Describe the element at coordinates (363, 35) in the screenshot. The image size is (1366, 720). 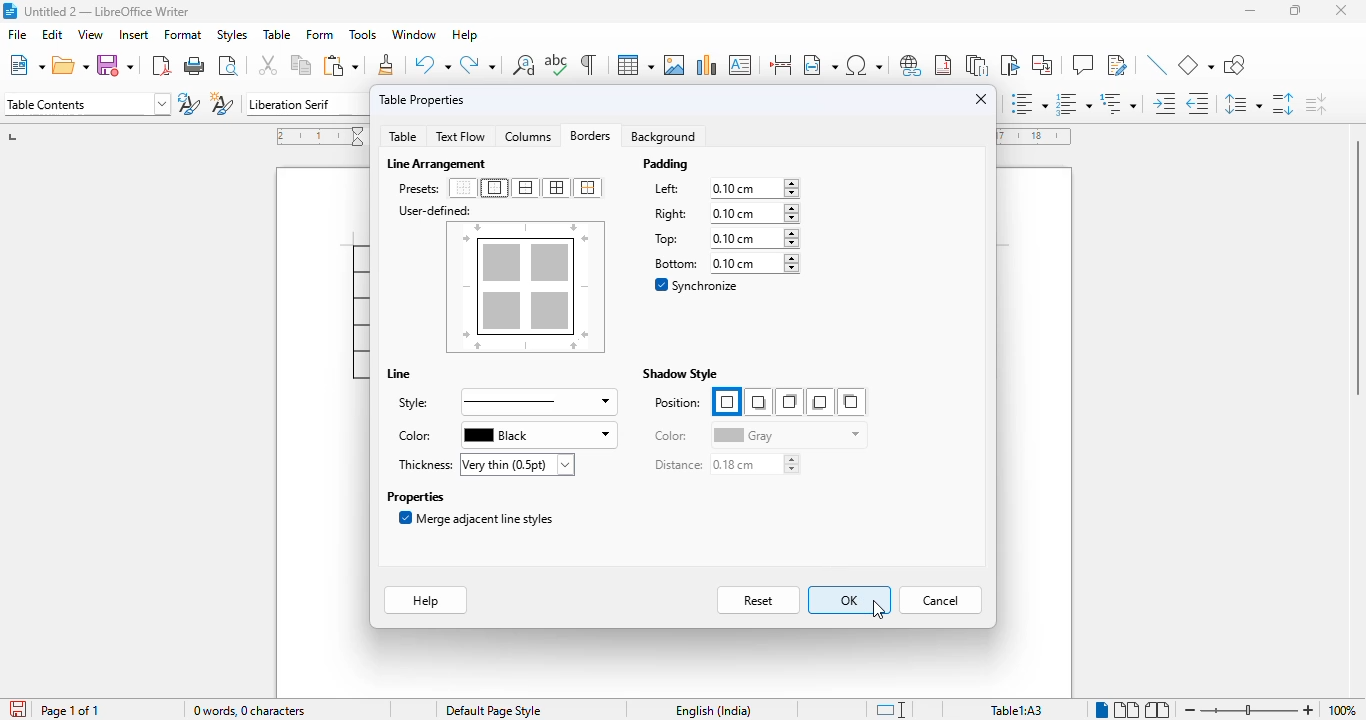
I see `tools` at that location.